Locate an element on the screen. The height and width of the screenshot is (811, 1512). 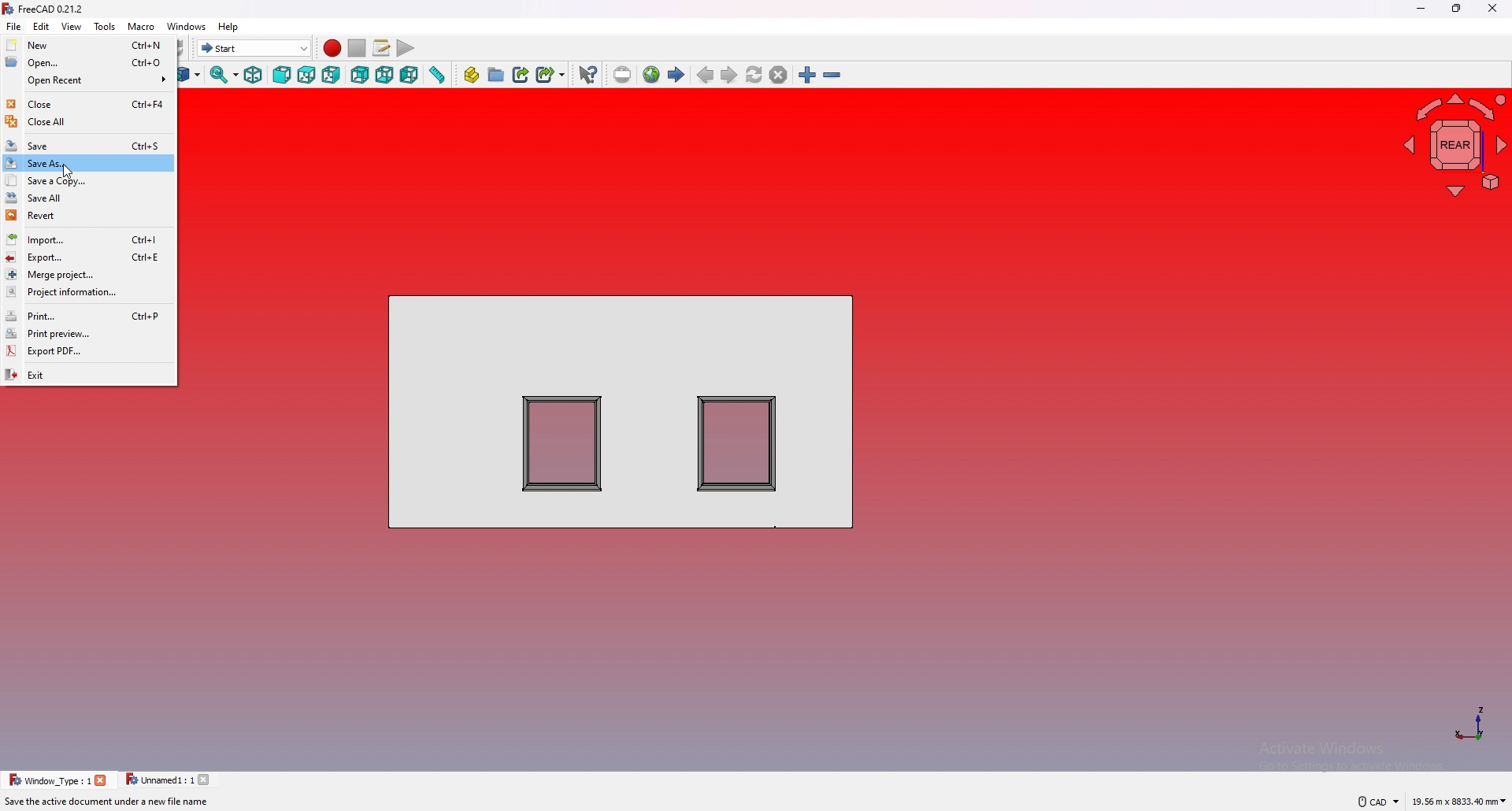
macros is located at coordinates (381, 48).